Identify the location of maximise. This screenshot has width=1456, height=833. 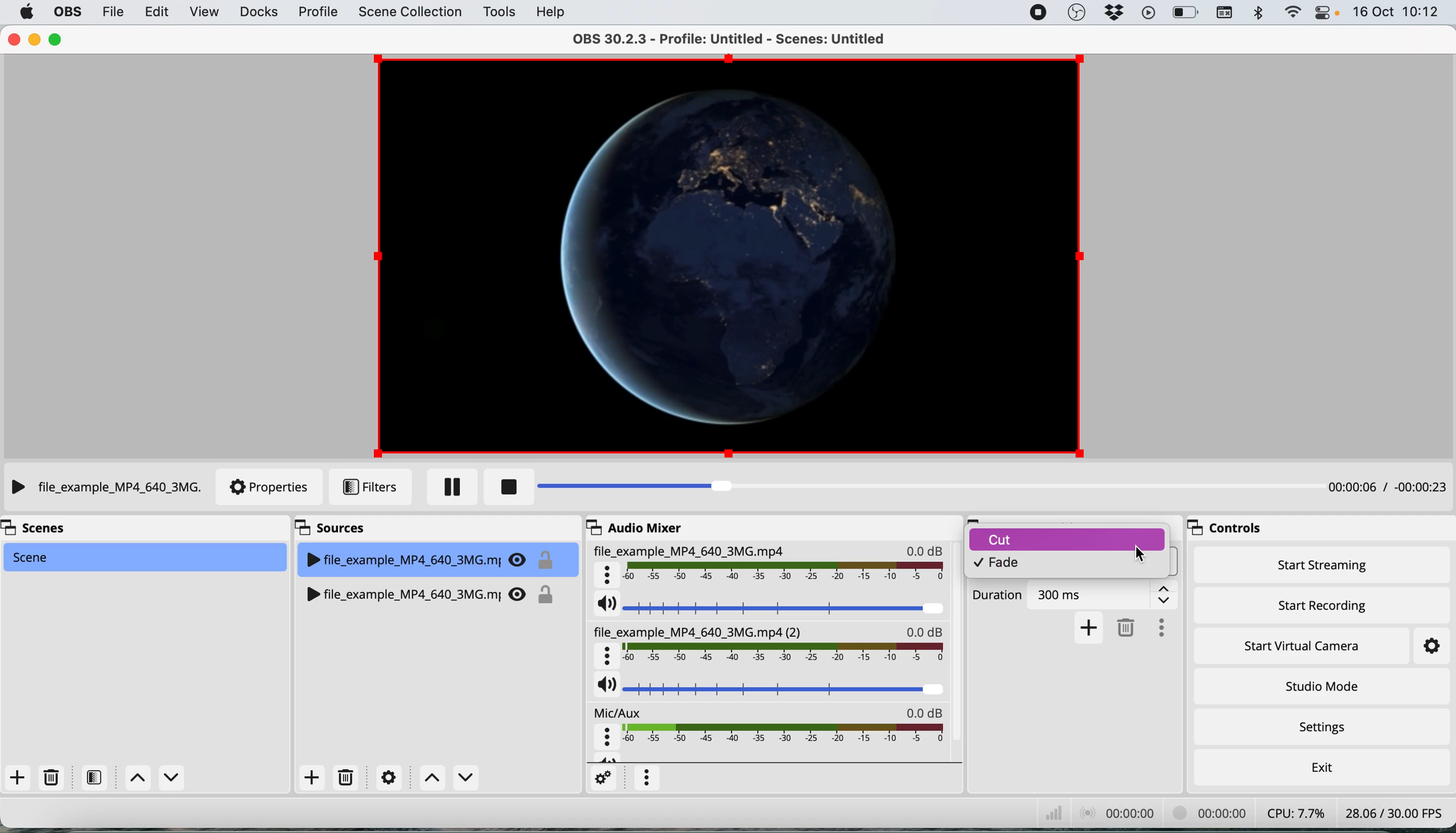
(56, 37).